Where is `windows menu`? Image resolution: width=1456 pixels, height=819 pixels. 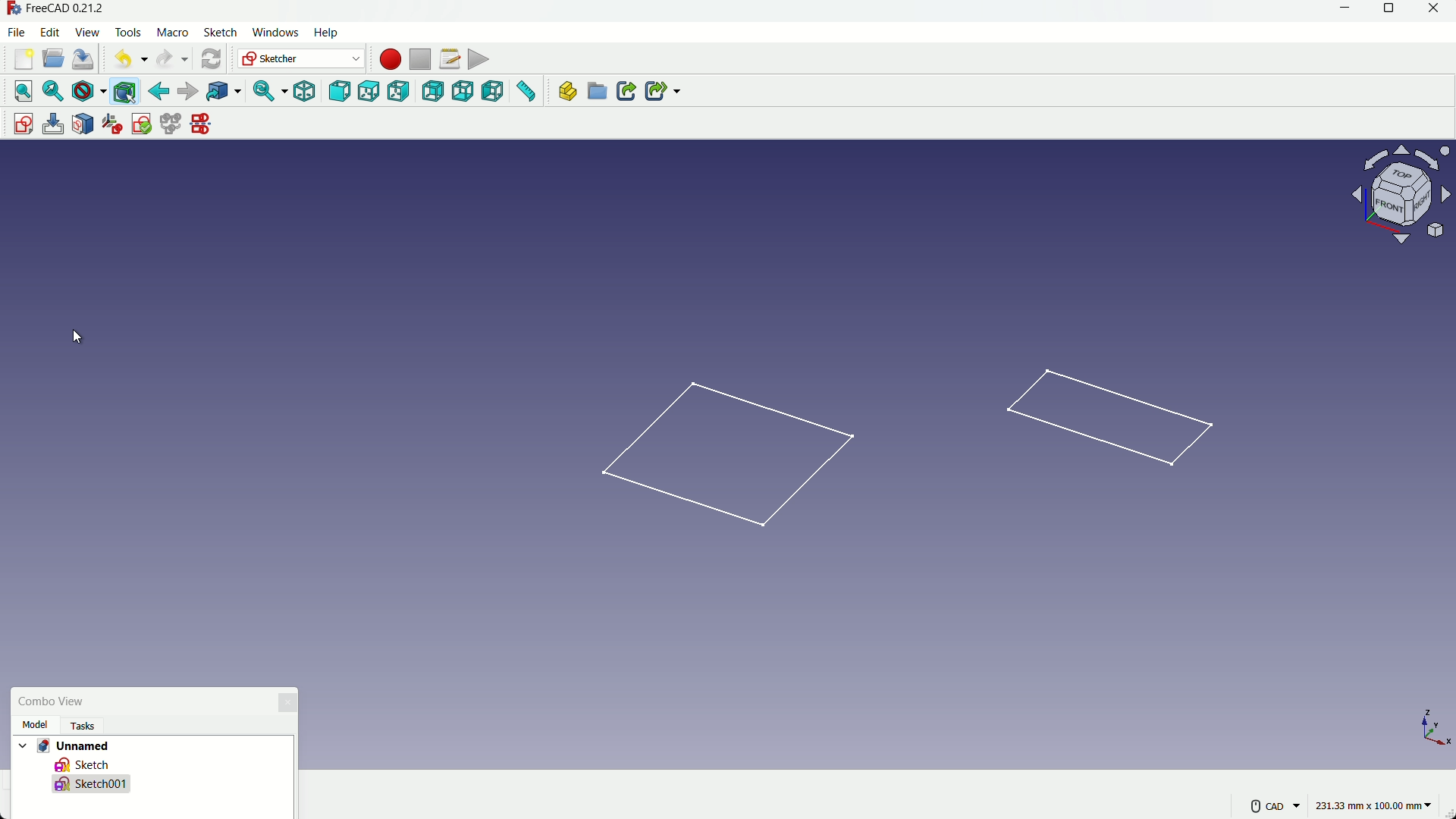 windows menu is located at coordinates (275, 33).